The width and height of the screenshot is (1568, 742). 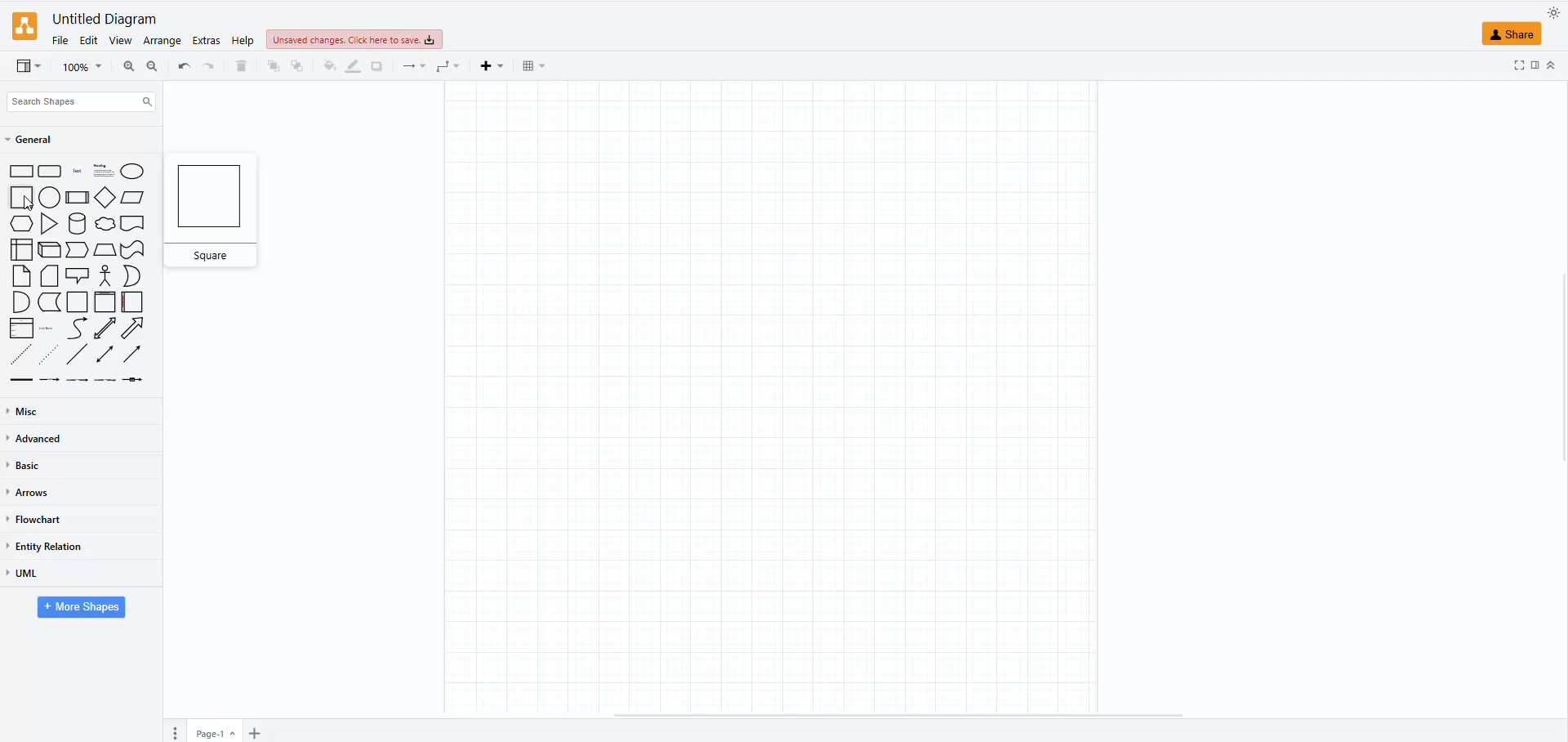 I want to click on square, so click(x=21, y=199).